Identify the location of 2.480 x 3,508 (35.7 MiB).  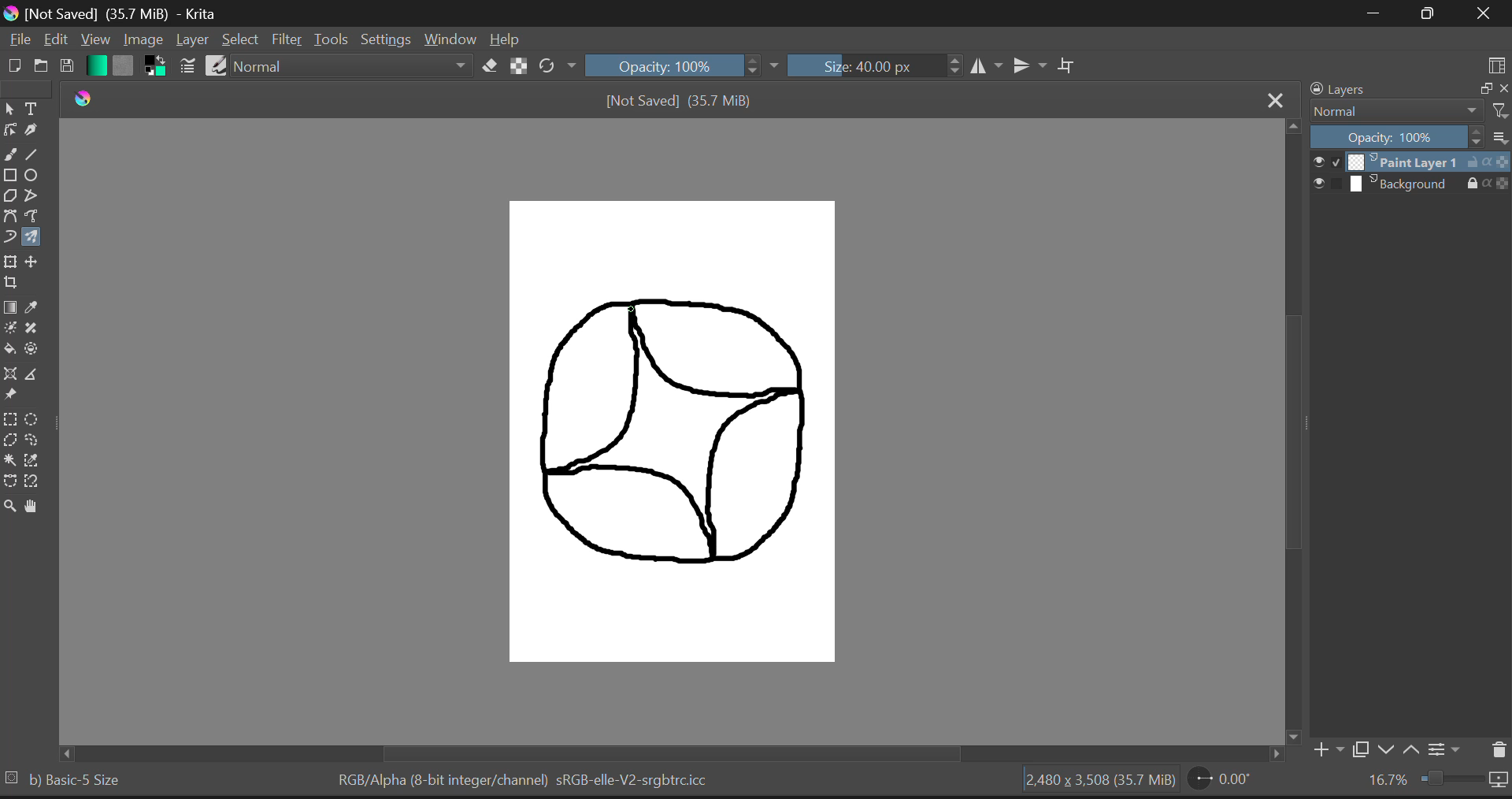
(1101, 780).